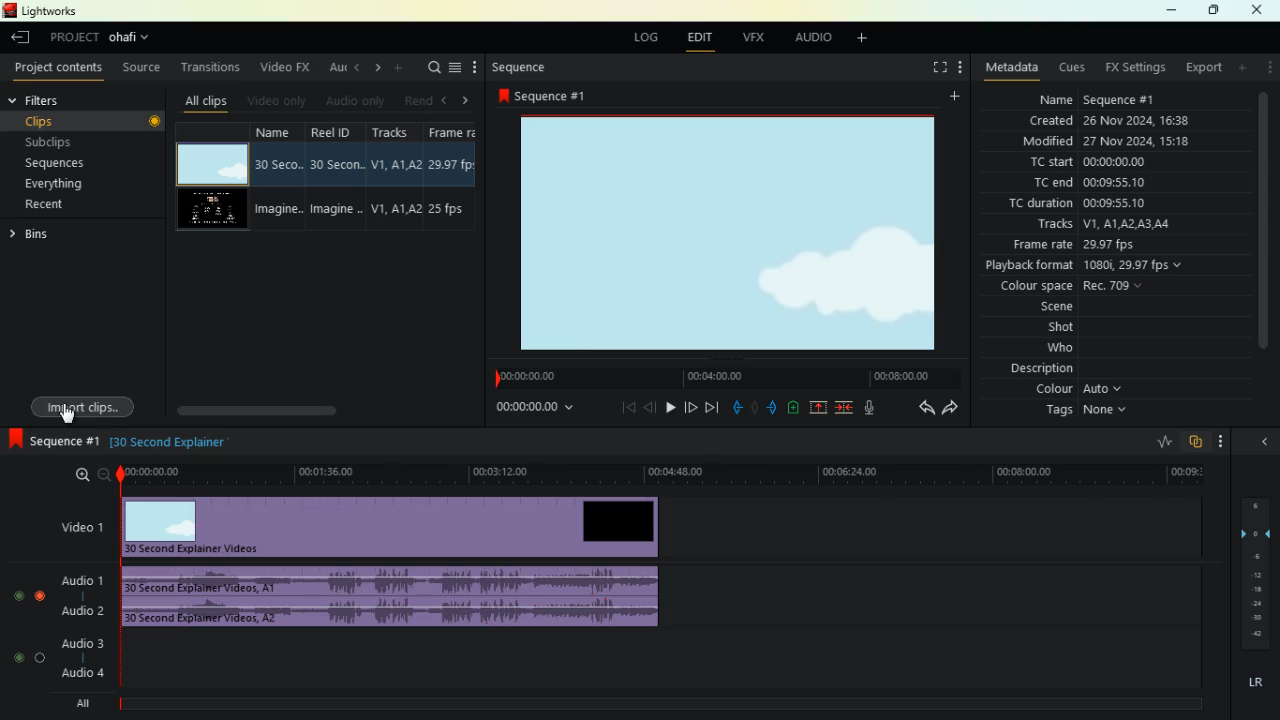 This screenshot has width=1280, height=720. Describe the element at coordinates (758, 37) in the screenshot. I see `vfx` at that location.